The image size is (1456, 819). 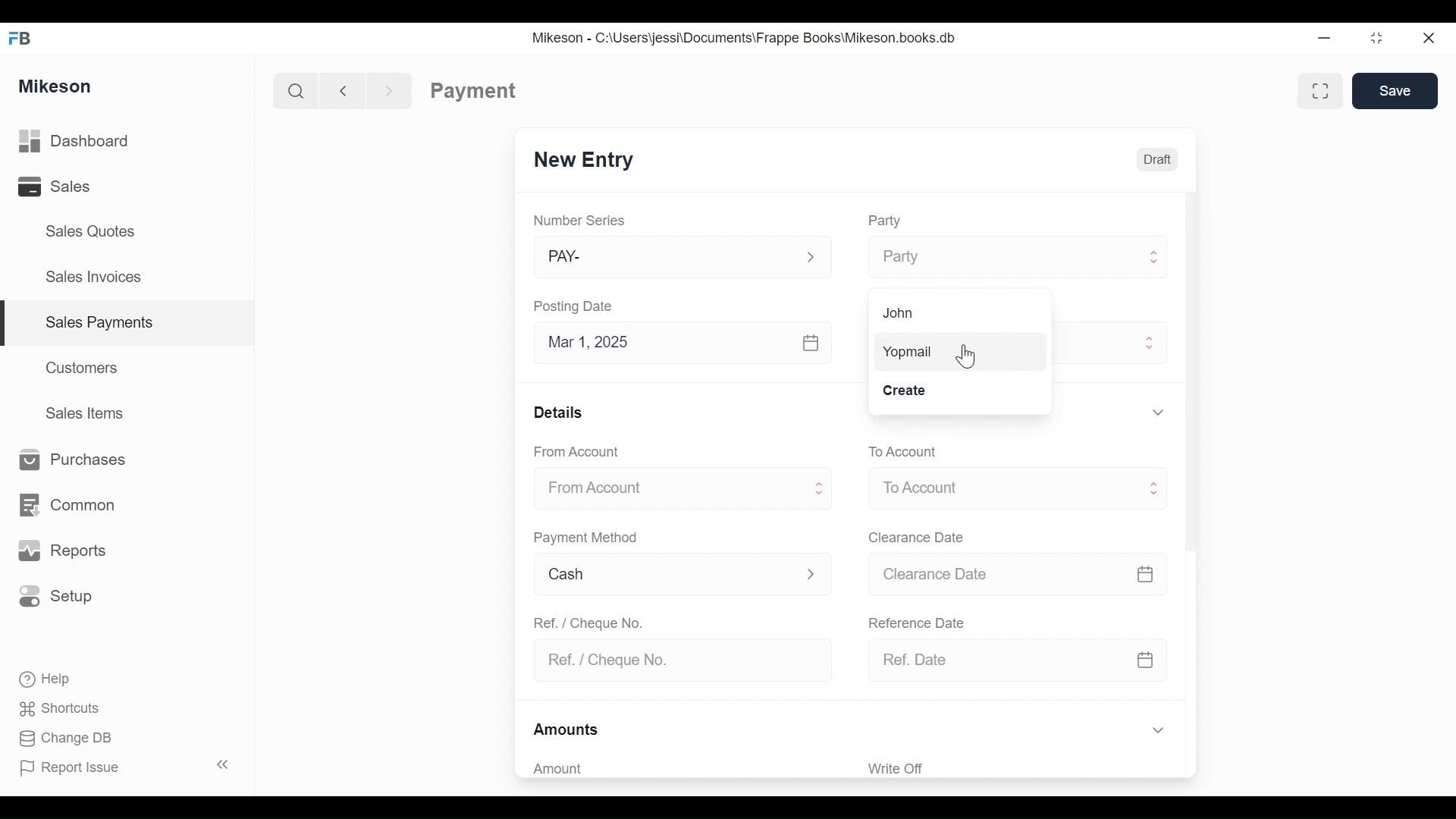 I want to click on Mar 1, 2025, so click(x=692, y=345).